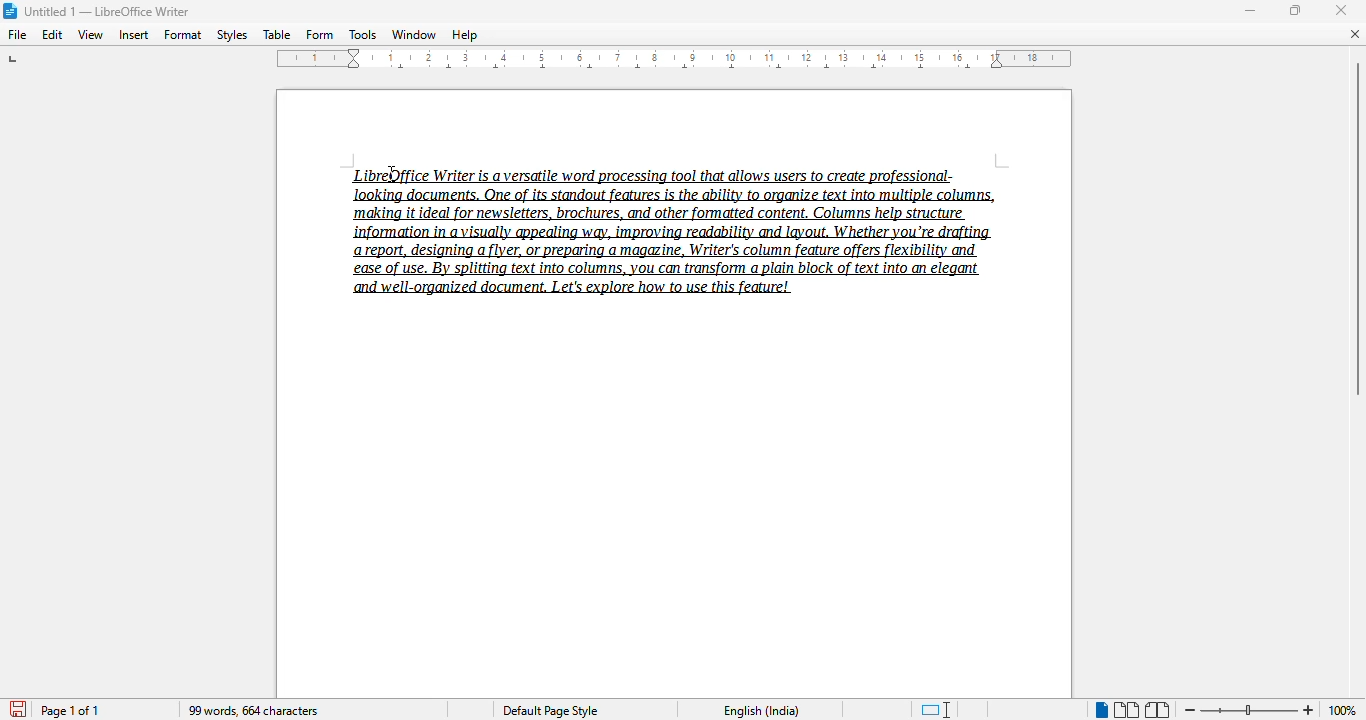  Describe the element at coordinates (183, 34) in the screenshot. I see `format` at that location.